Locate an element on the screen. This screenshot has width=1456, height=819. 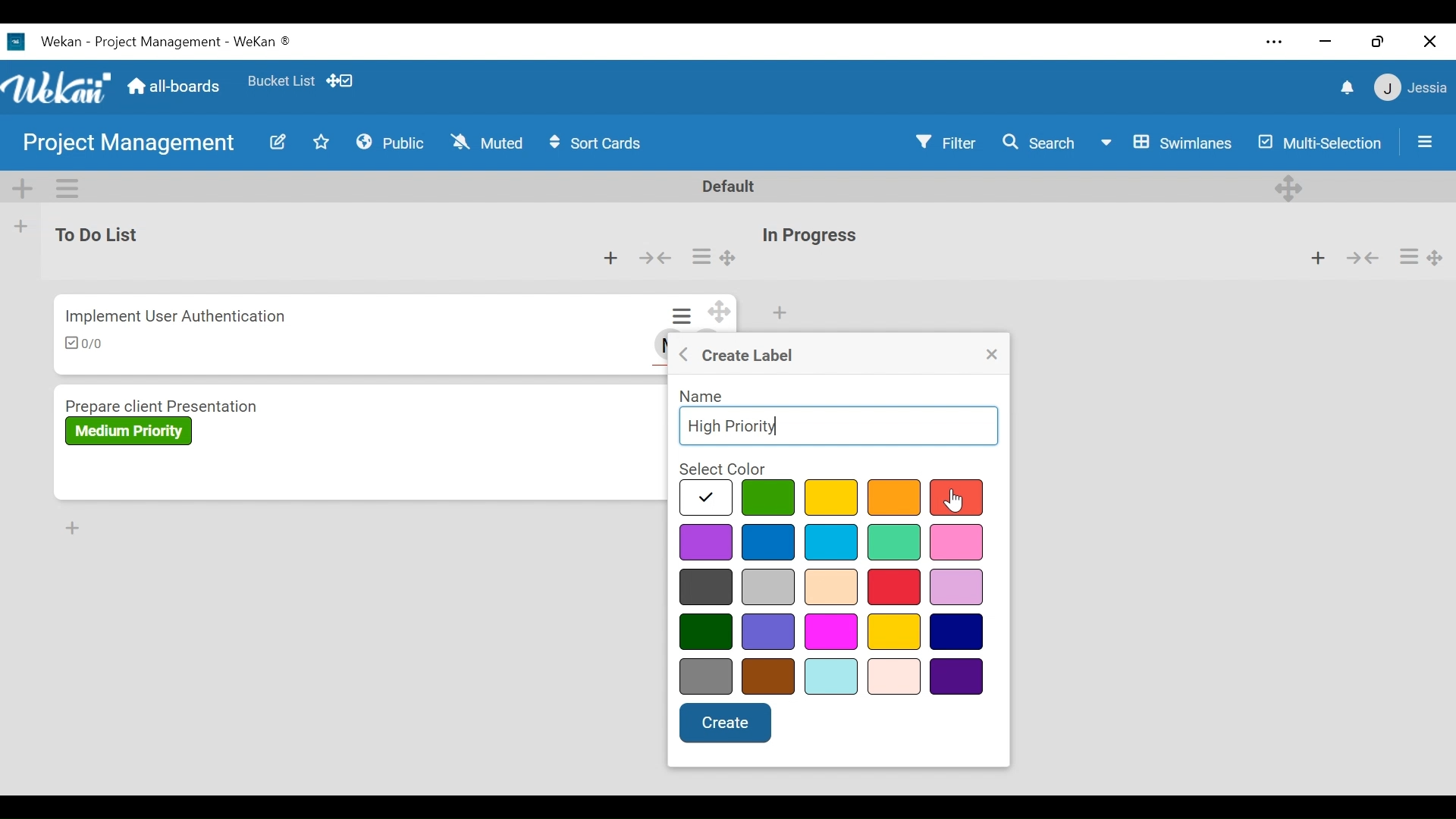
Card actions is located at coordinates (1407, 256).